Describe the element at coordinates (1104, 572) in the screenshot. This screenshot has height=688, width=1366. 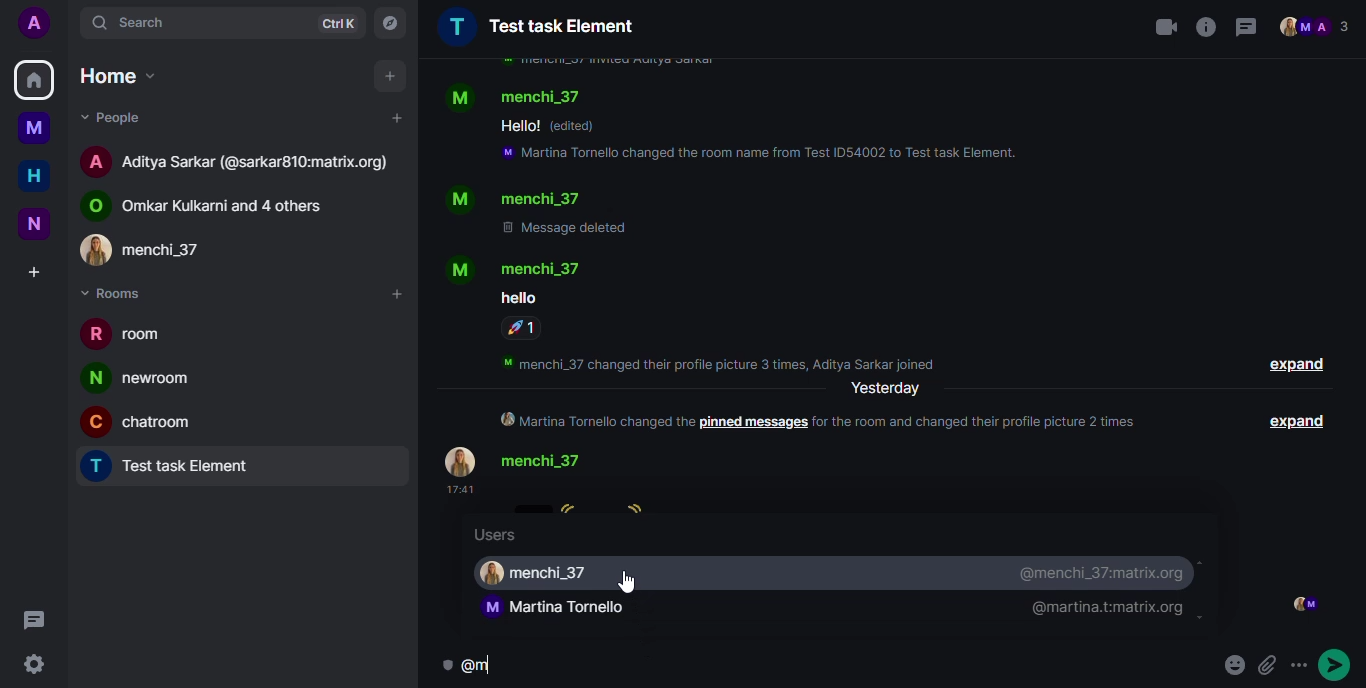
I see `id` at that location.